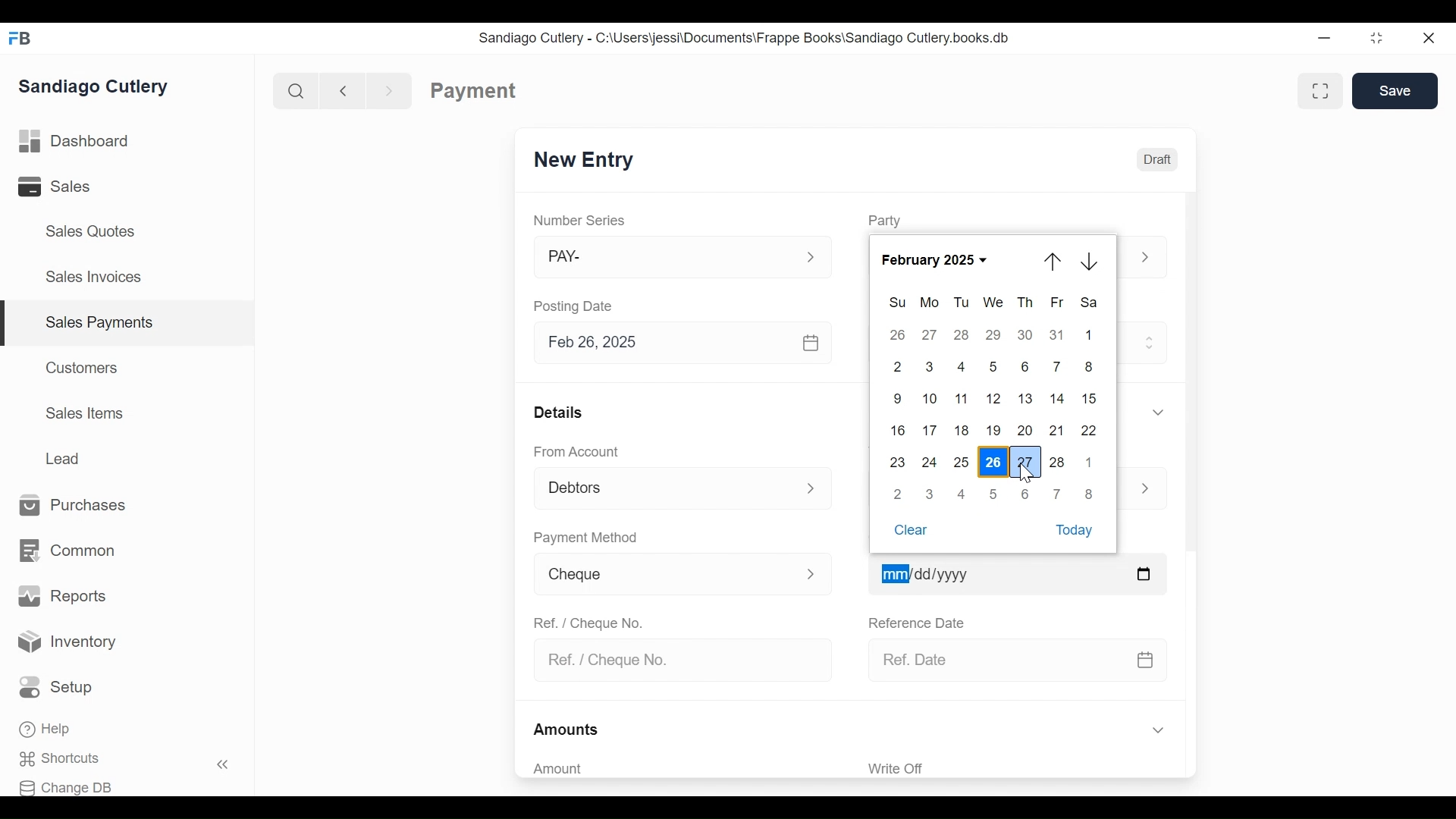  What do you see at coordinates (1025, 367) in the screenshot?
I see `6` at bounding box center [1025, 367].